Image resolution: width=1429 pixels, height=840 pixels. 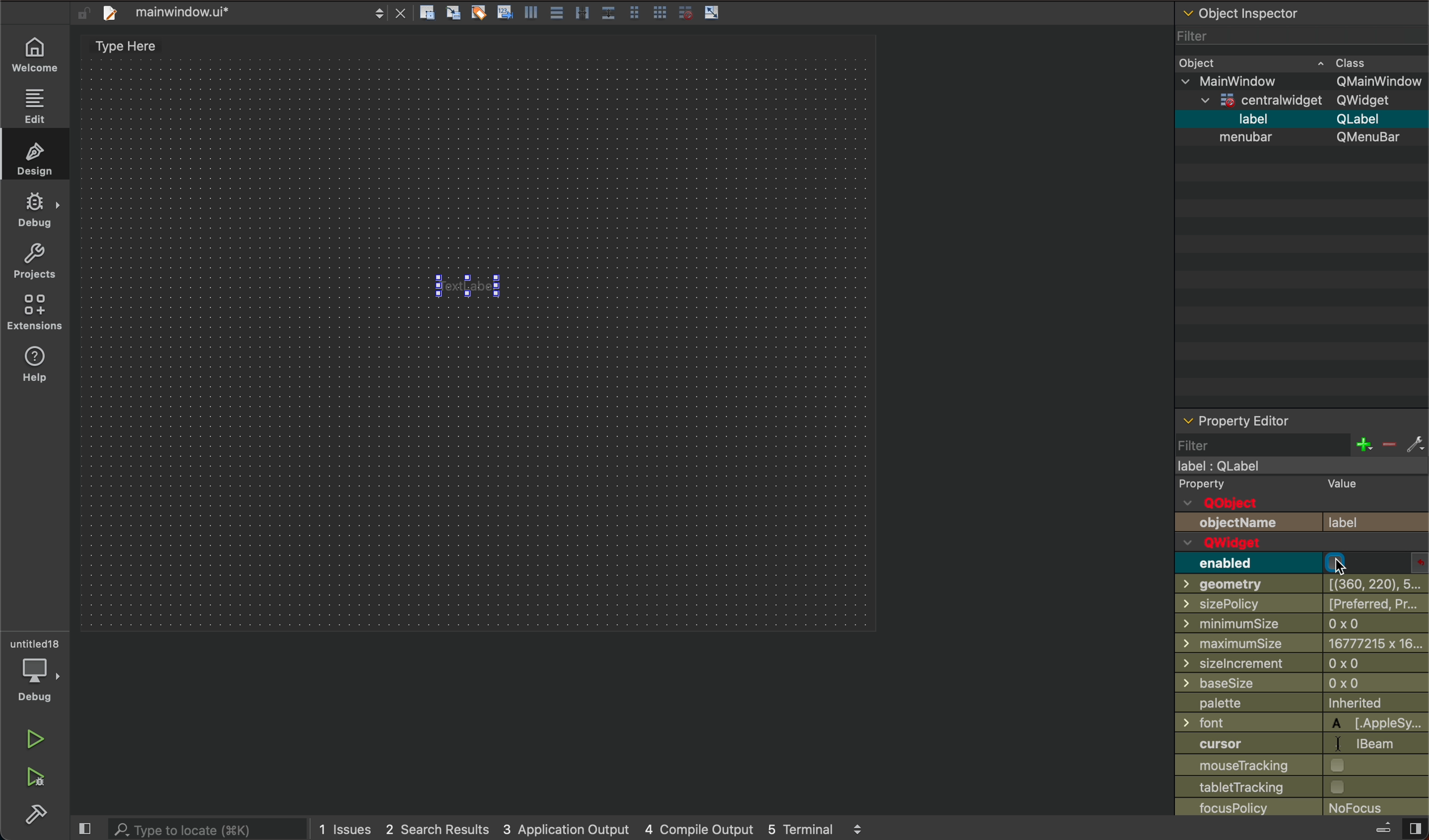 What do you see at coordinates (1369, 622) in the screenshot?
I see `0 x 0` at bounding box center [1369, 622].